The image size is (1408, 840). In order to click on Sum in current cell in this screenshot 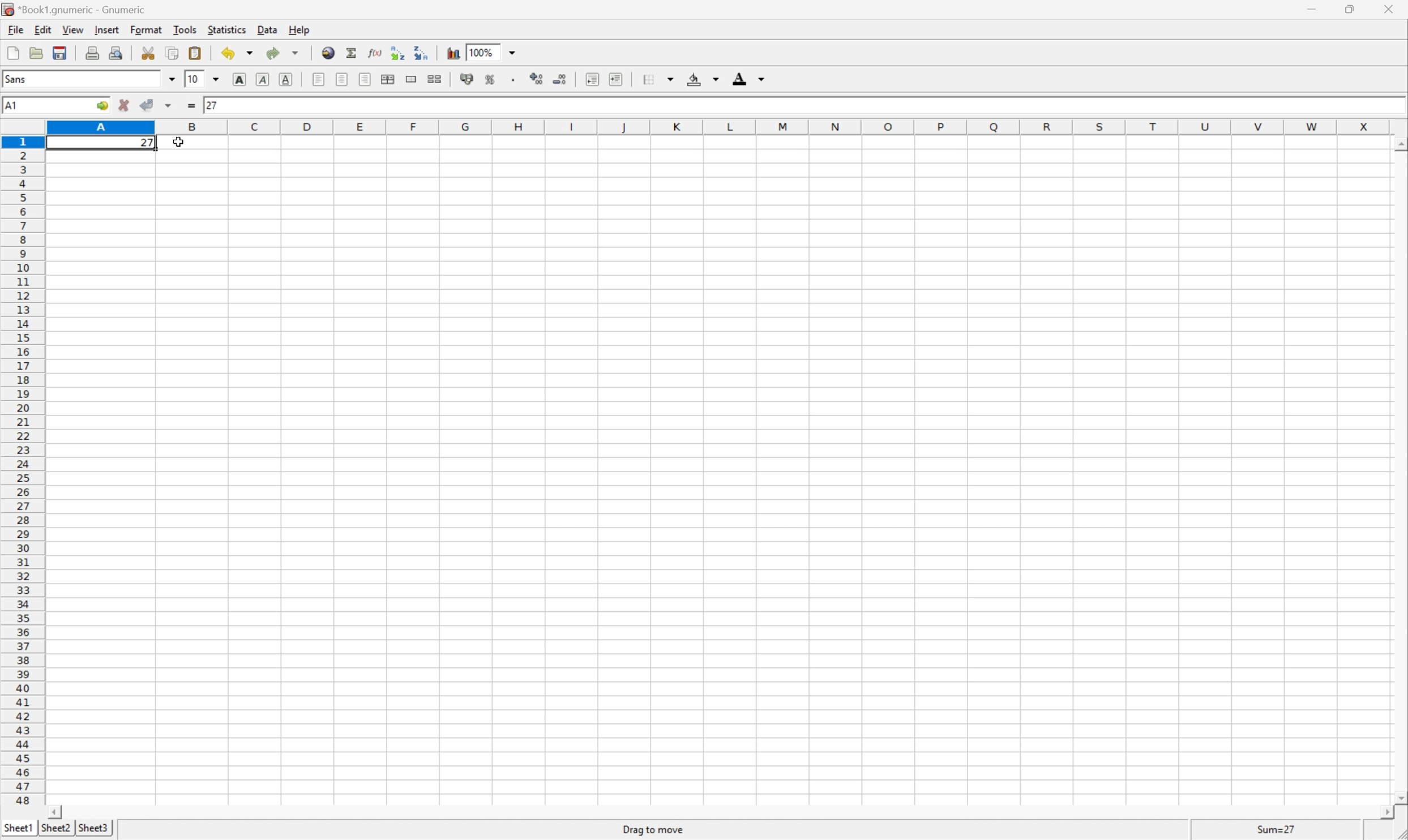, I will do `click(354, 54)`.